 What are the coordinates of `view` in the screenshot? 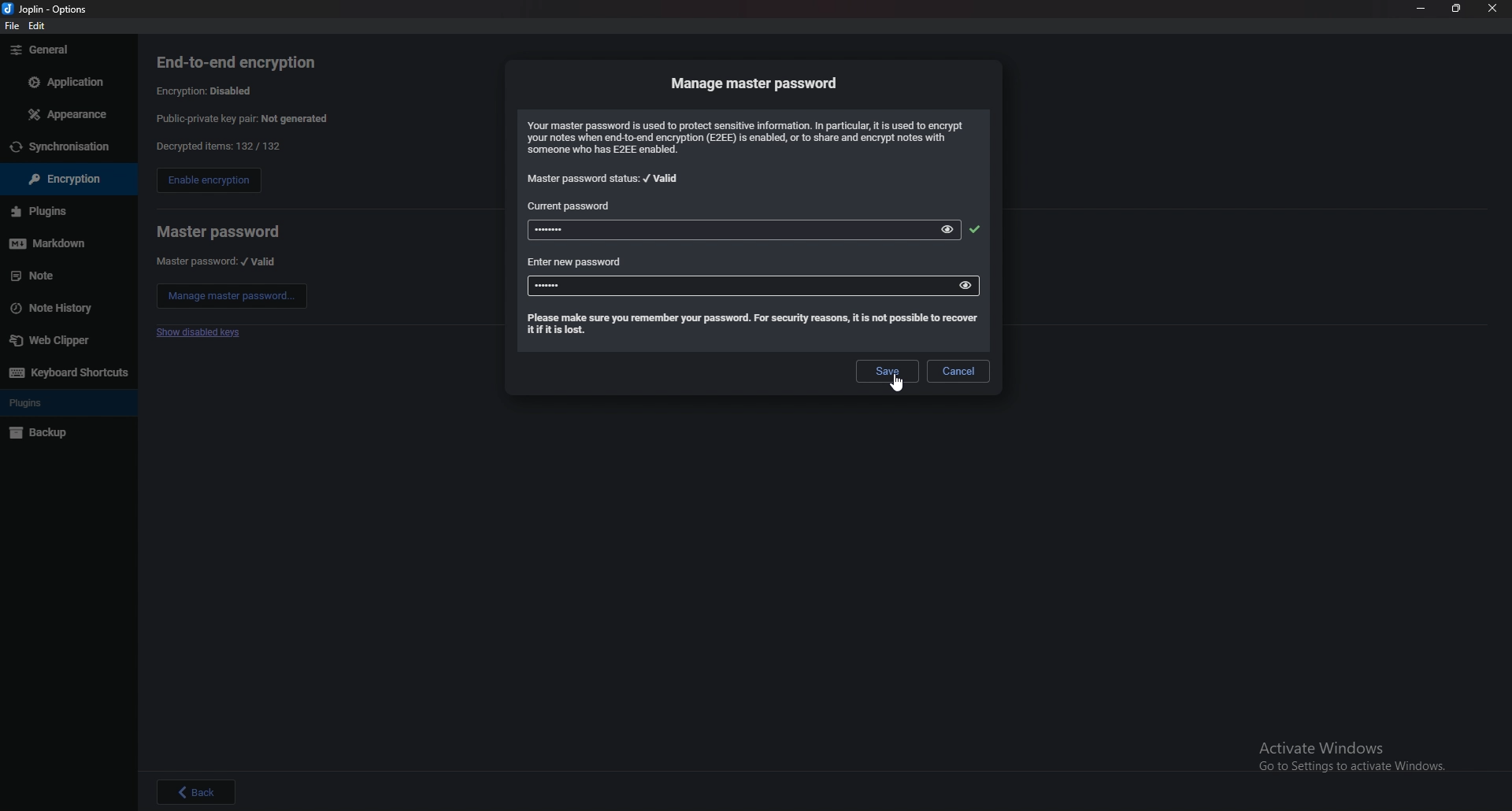 It's located at (949, 229).